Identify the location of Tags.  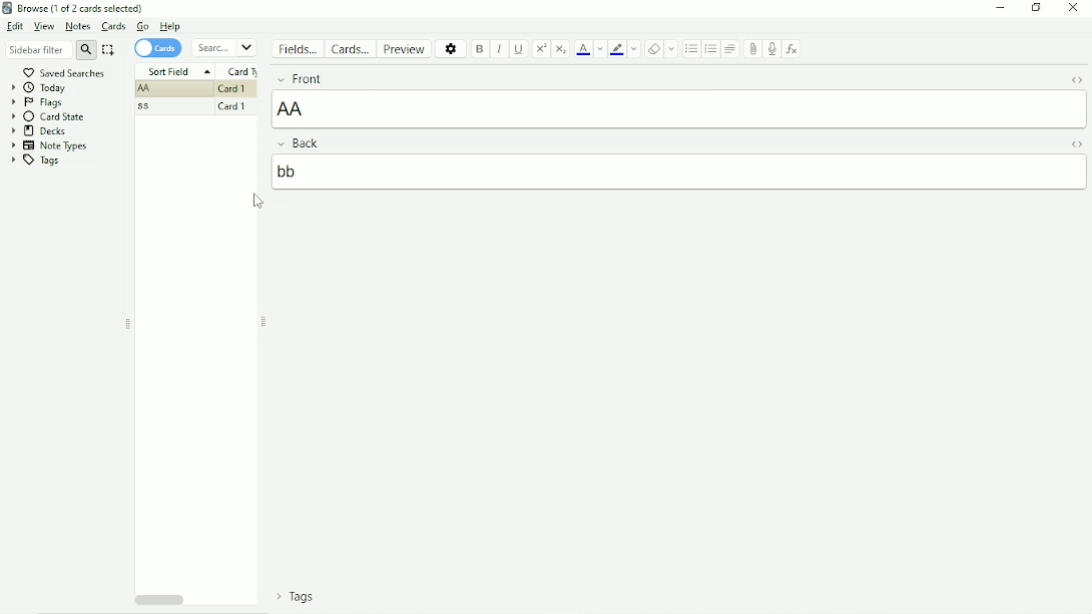
(296, 596).